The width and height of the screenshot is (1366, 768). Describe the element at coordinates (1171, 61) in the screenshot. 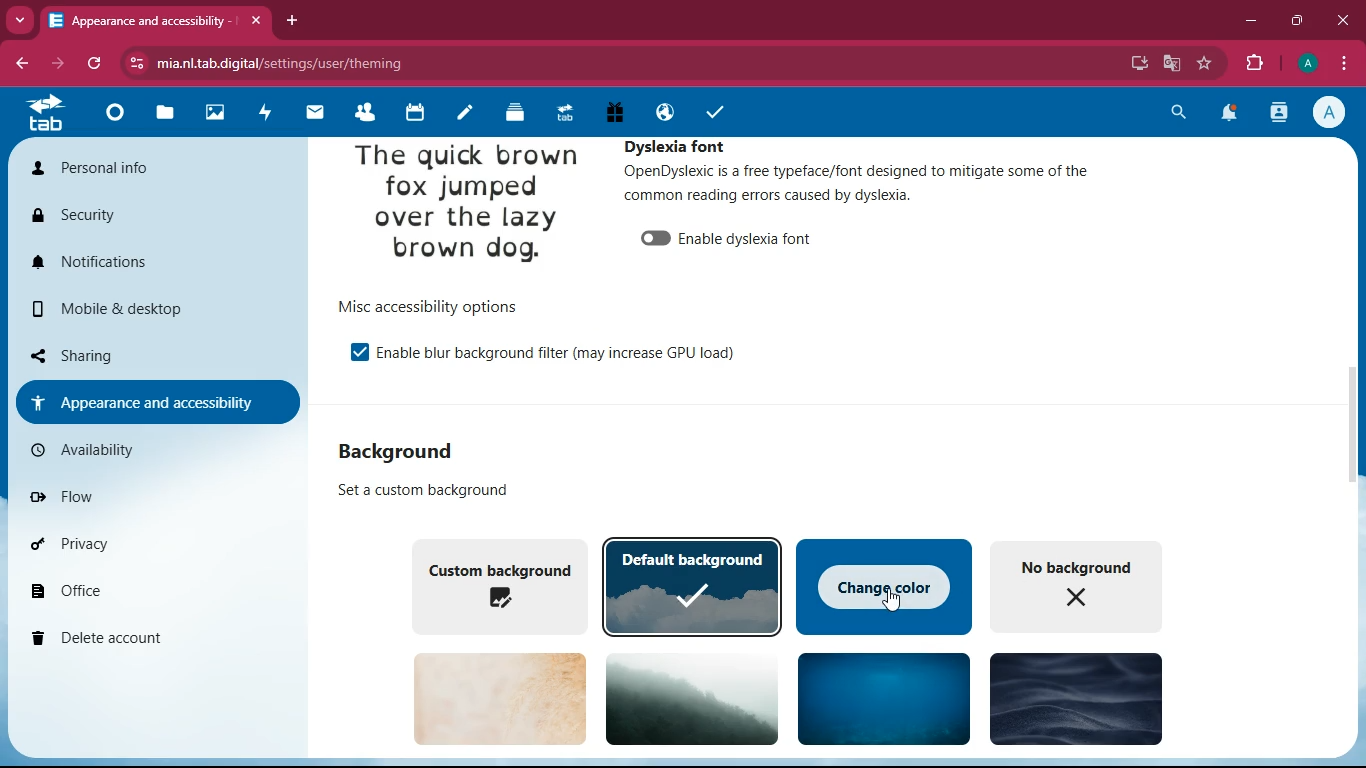

I see `google translate` at that location.